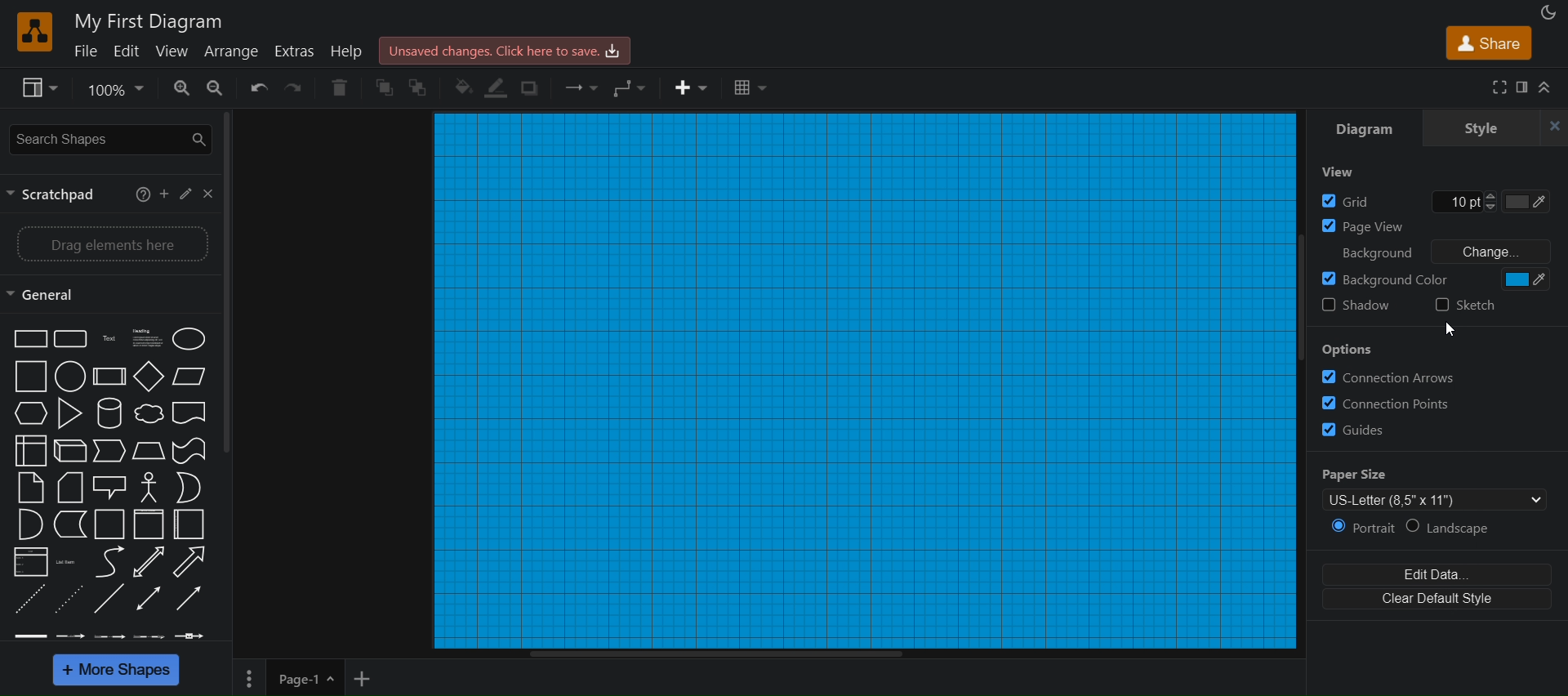  What do you see at coordinates (59, 196) in the screenshot?
I see `scractpad` at bounding box center [59, 196].